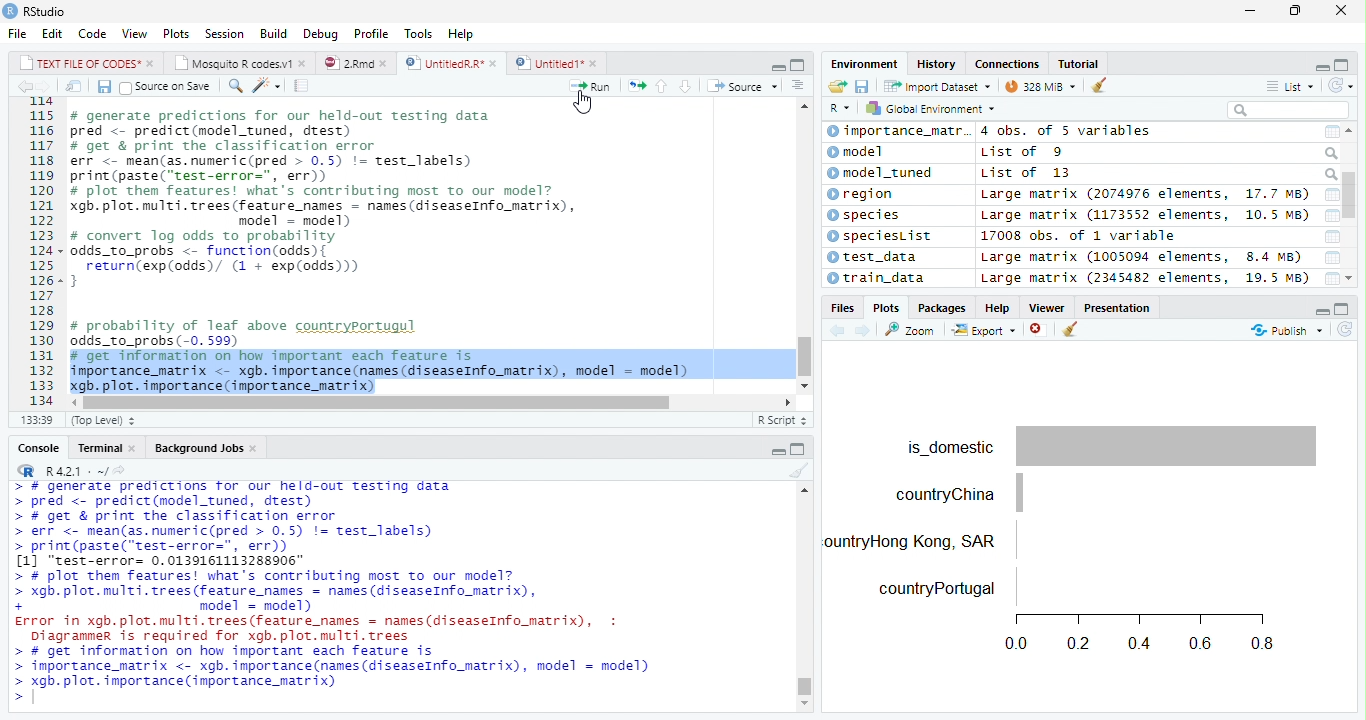 The image size is (1366, 720). Describe the element at coordinates (741, 85) in the screenshot. I see `Source` at that location.